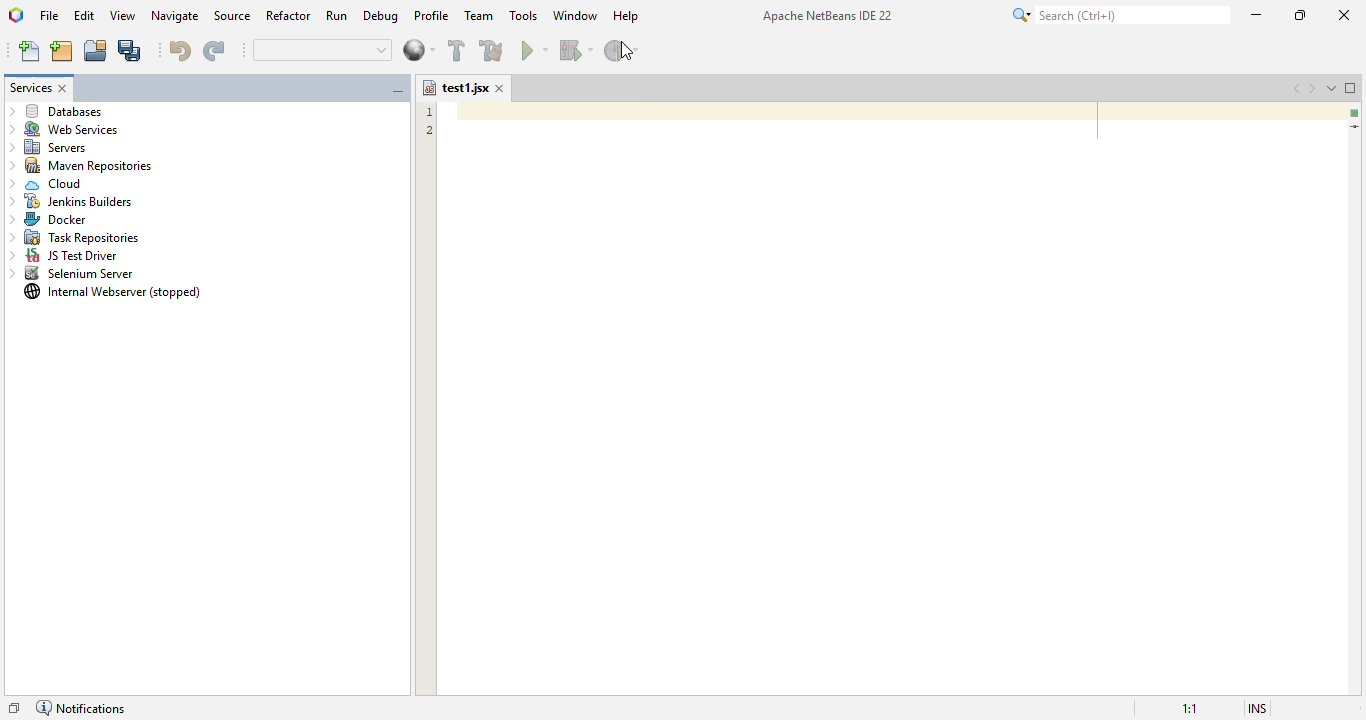 This screenshot has height=720, width=1366. Describe the element at coordinates (1332, 88) in the screenshot. I see `show opened documents list` at that location.